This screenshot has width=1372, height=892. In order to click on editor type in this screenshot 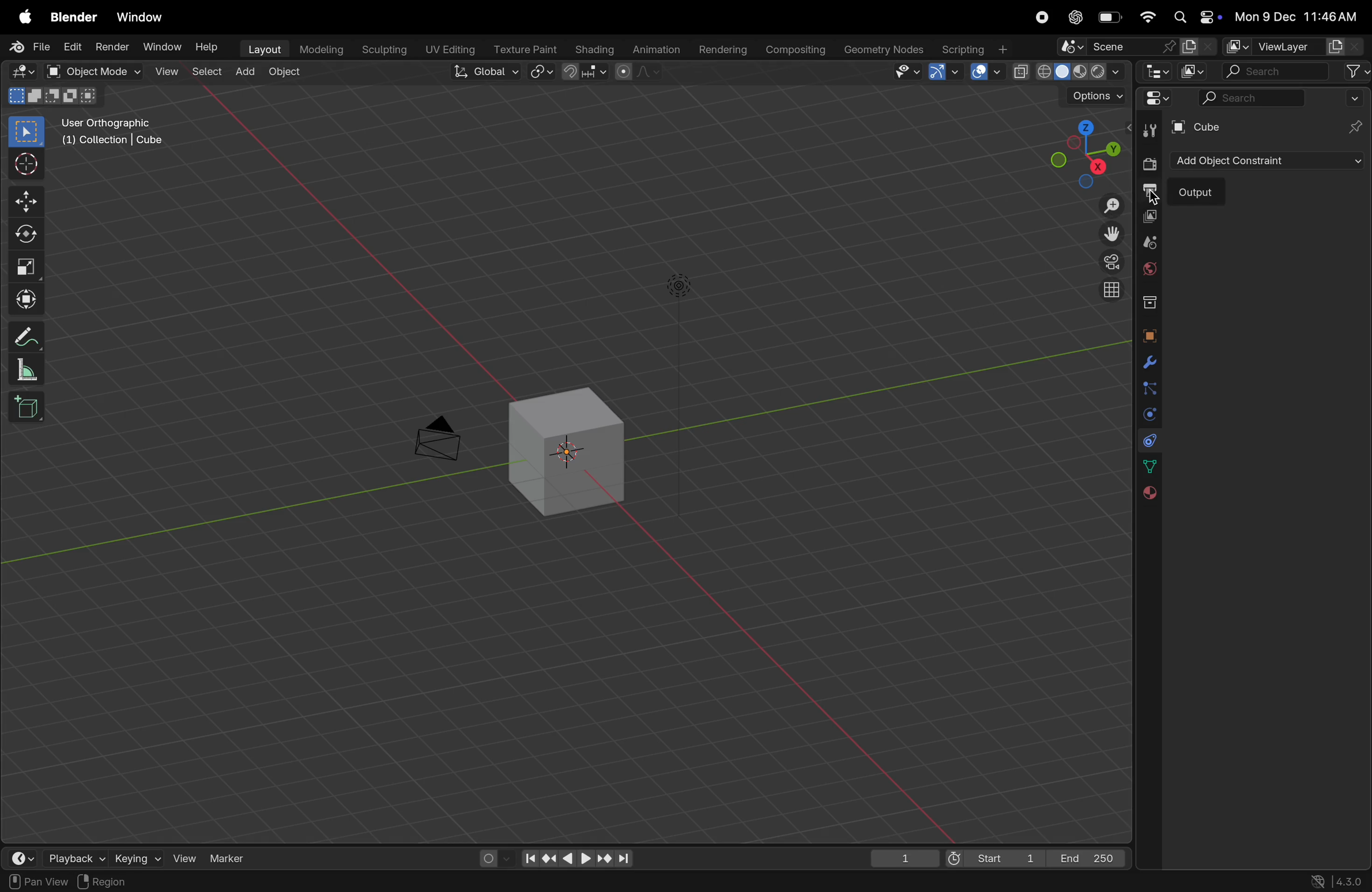, I will do `click(1153, 100)`.